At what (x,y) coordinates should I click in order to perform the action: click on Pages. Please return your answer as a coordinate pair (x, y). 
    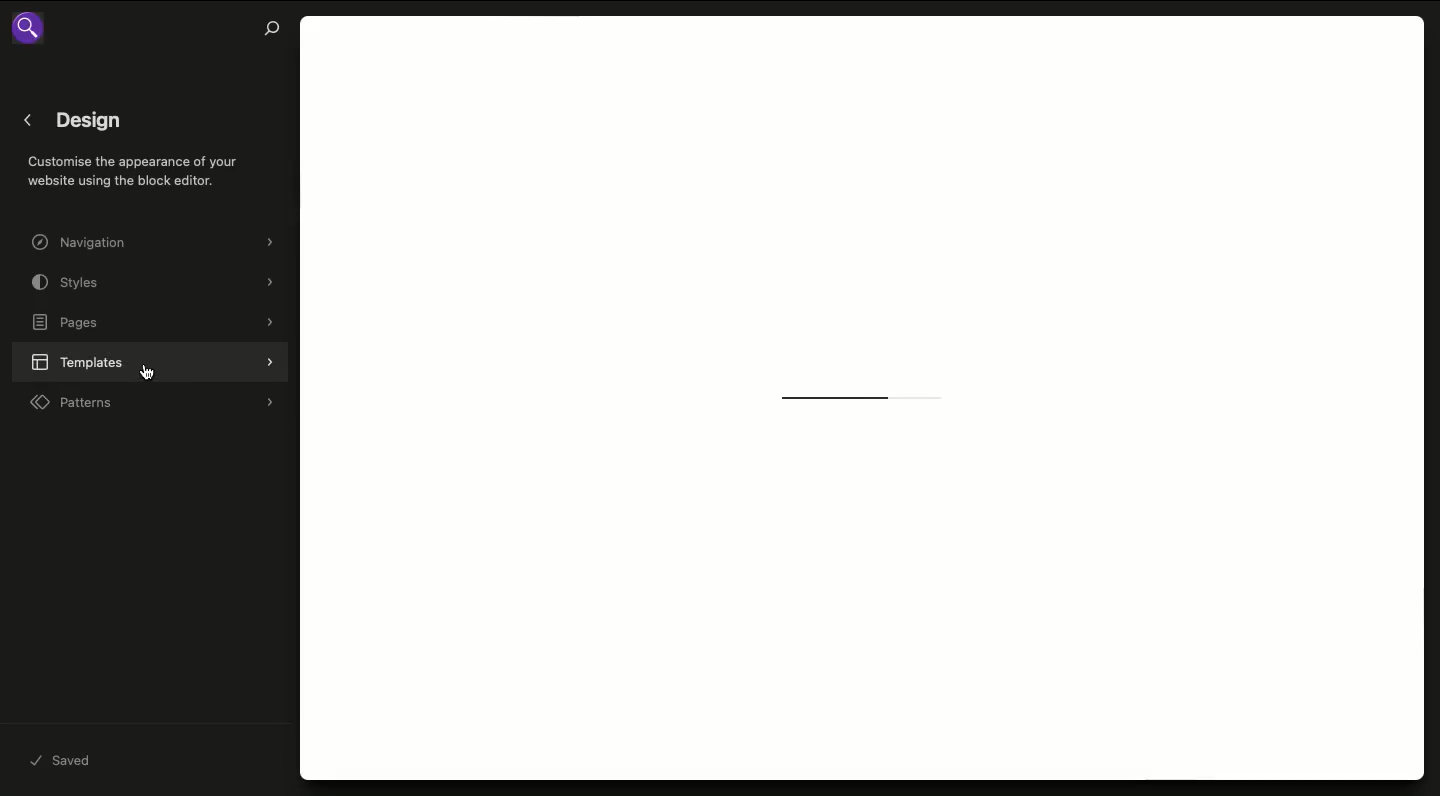
    Looking at the image, I should click on (157, 322).